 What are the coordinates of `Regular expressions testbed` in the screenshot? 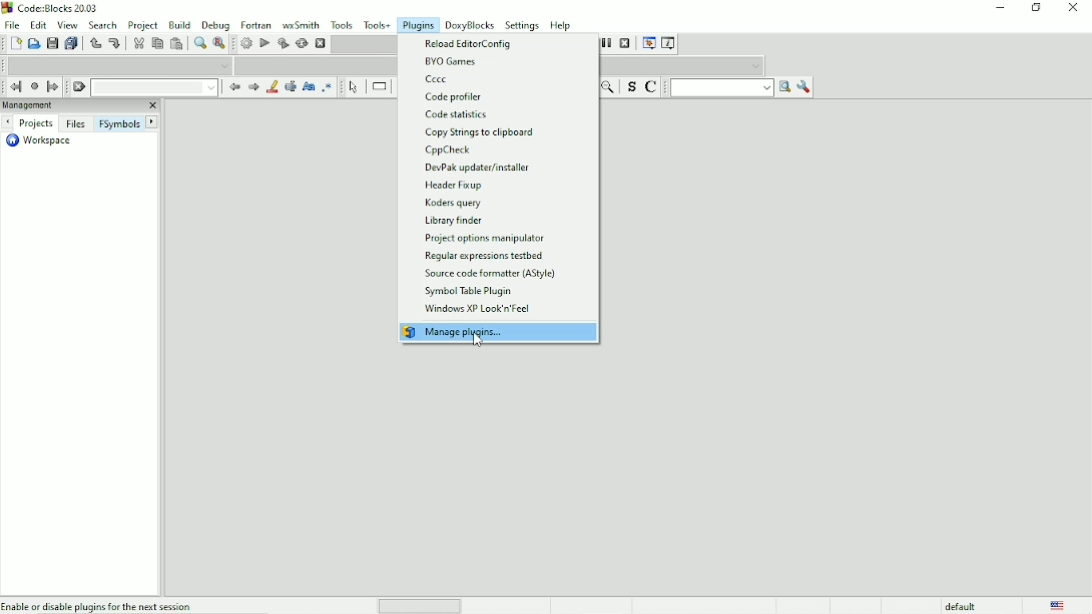 It's located at (484, 256).